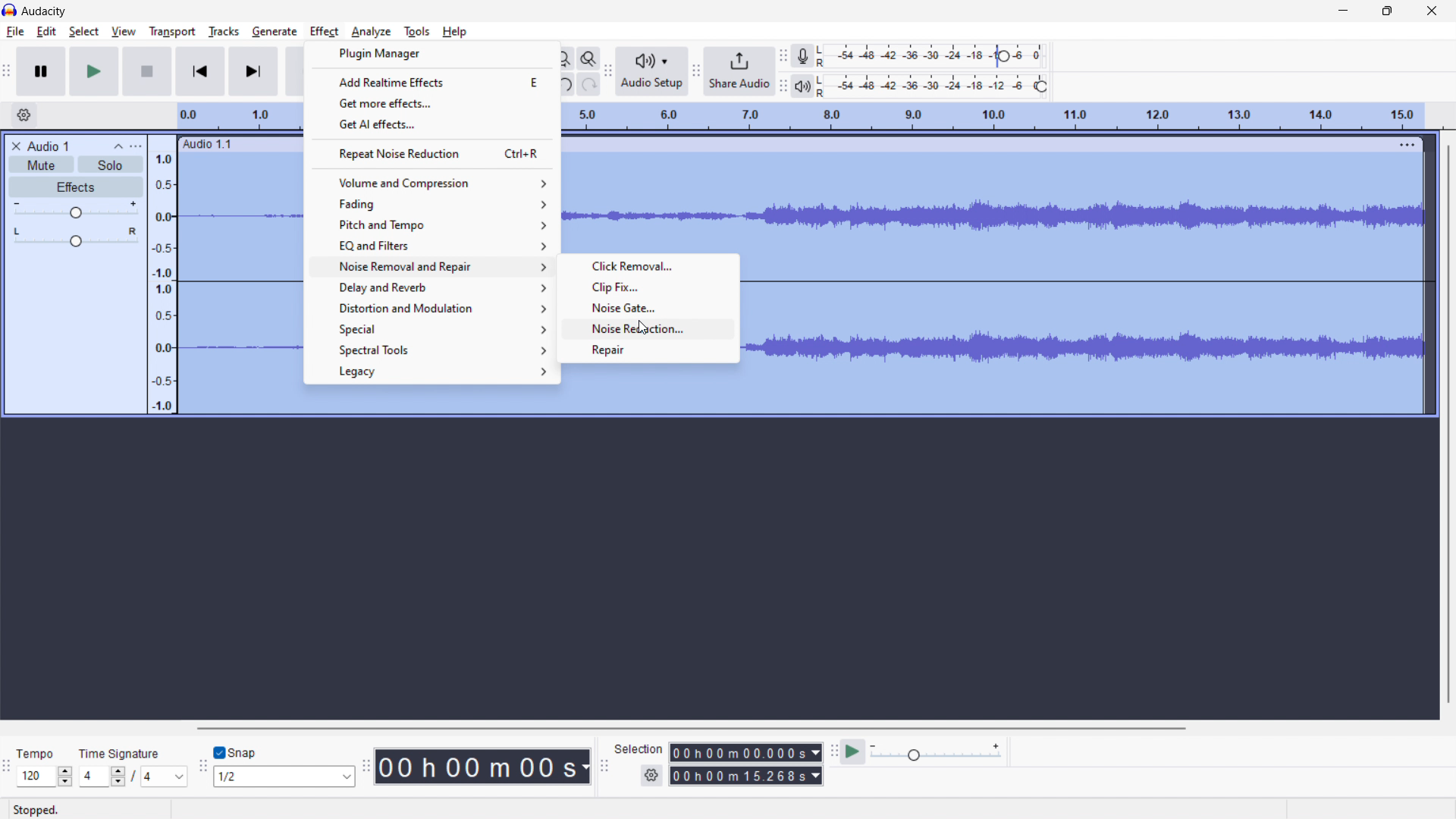  What do you see at coordinates (482, 767) in the screenshot?
I see `time stamp` at bounding box center [482, 767].